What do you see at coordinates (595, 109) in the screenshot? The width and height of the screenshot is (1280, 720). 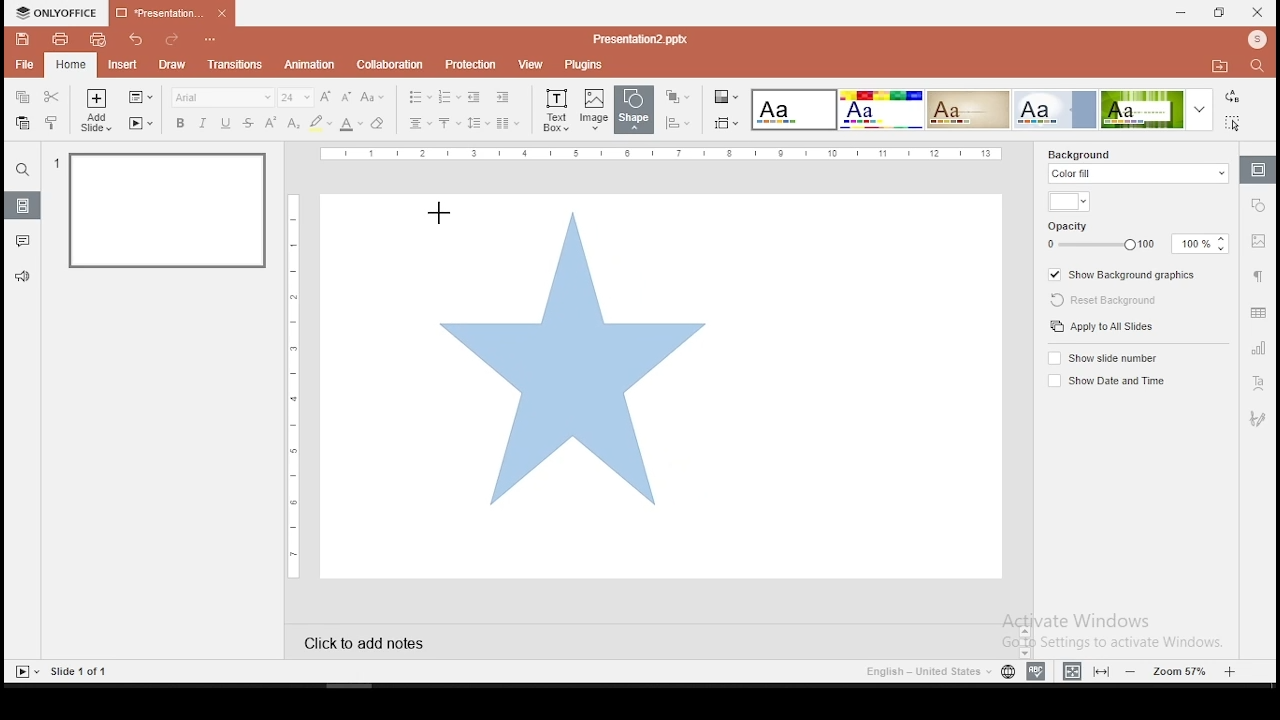 I see `image` at bounding box center [595, 109].